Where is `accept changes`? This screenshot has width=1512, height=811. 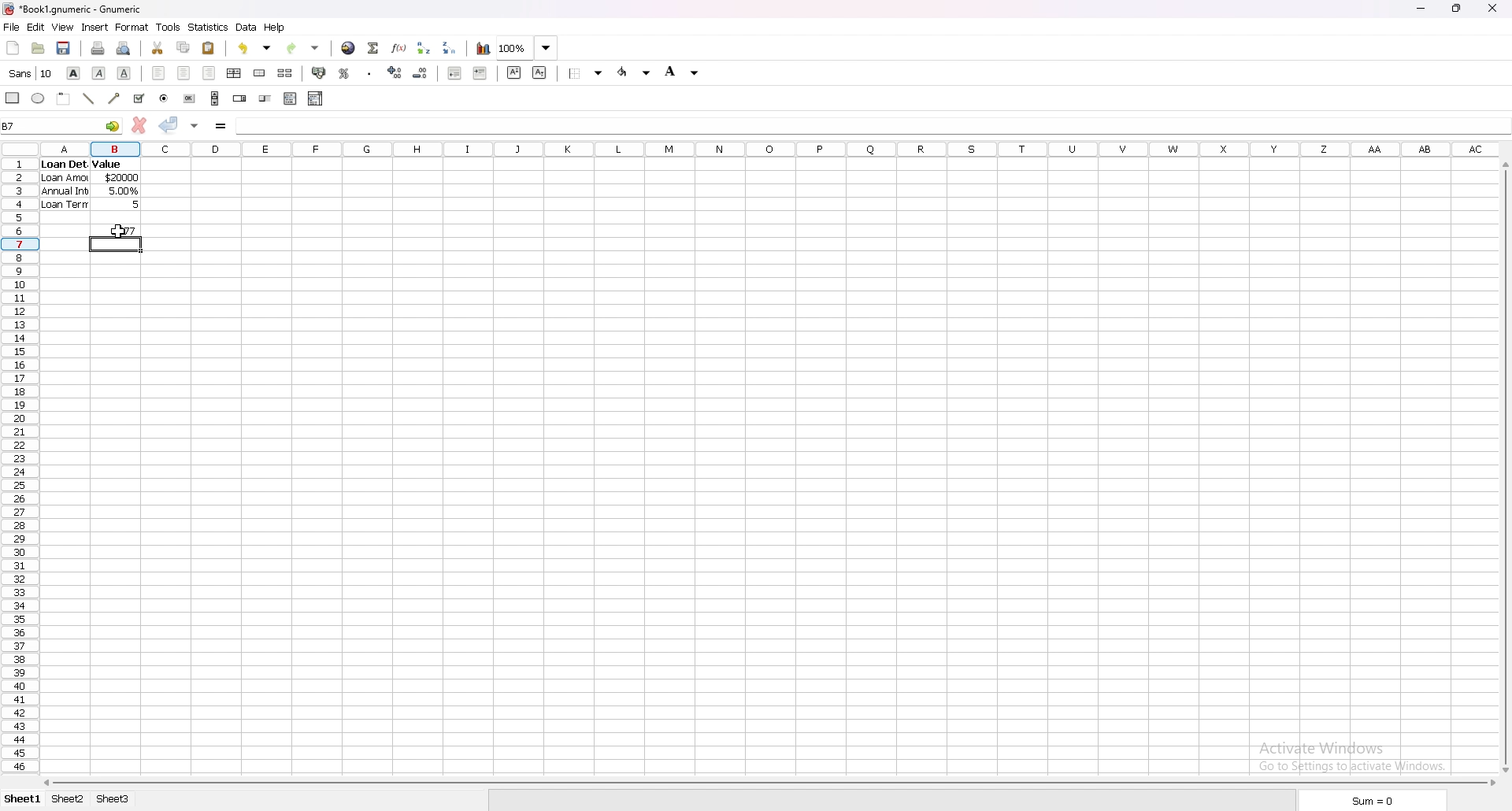 accept changes is located at coordinates (169, 125).